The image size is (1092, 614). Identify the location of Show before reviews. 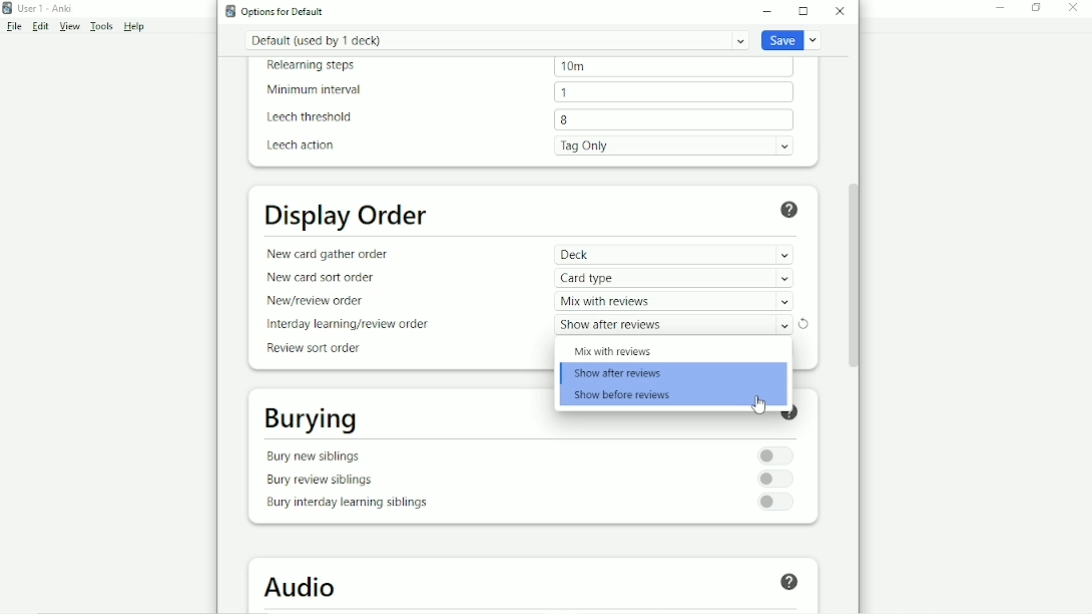
(622, 396).